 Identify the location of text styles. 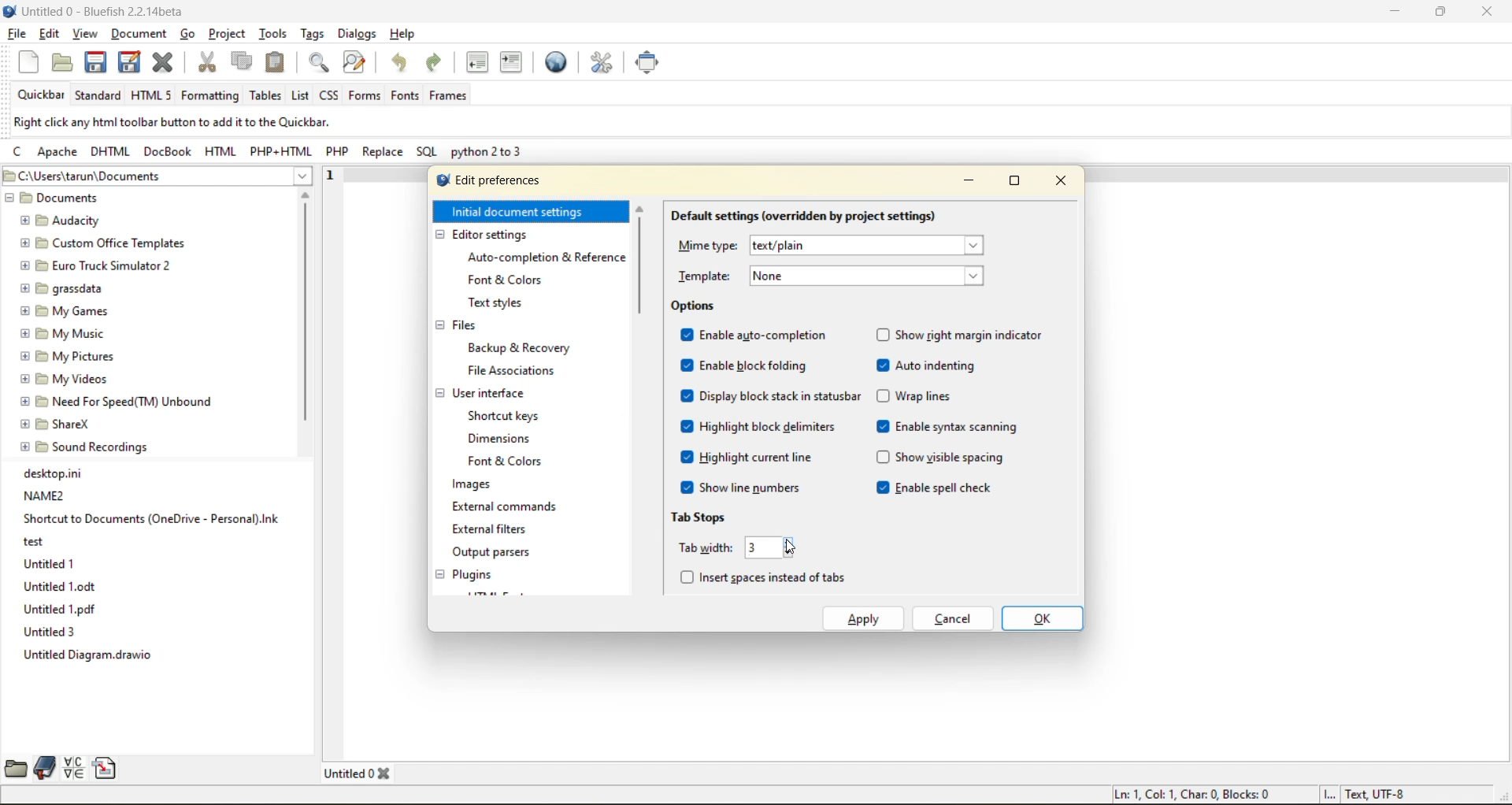
(501, 303).